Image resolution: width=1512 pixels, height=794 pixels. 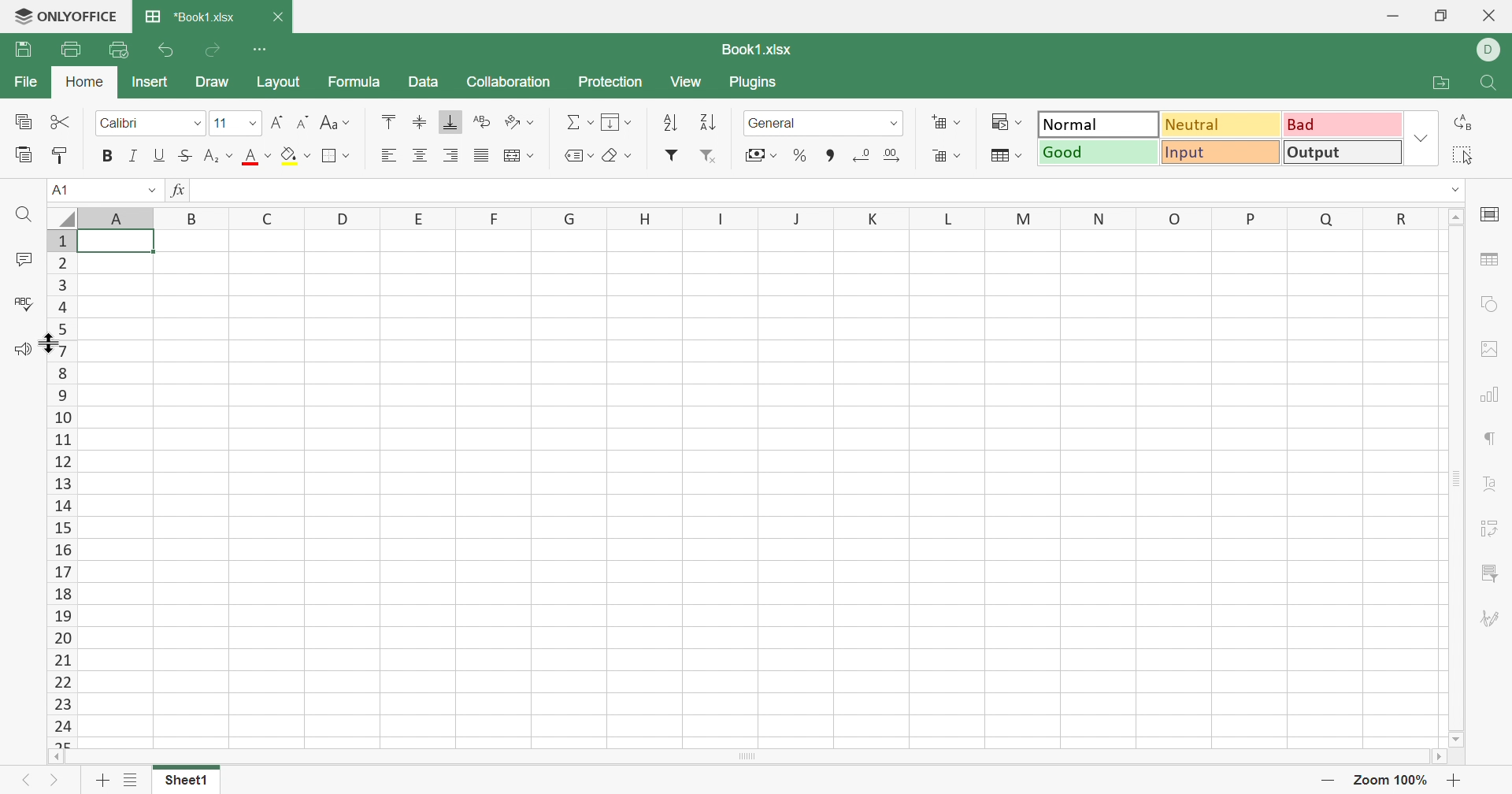 What do you see at coordinates (670, 121) in the screenshot?
I see `Ascending order` at bounding box center [670, 121].